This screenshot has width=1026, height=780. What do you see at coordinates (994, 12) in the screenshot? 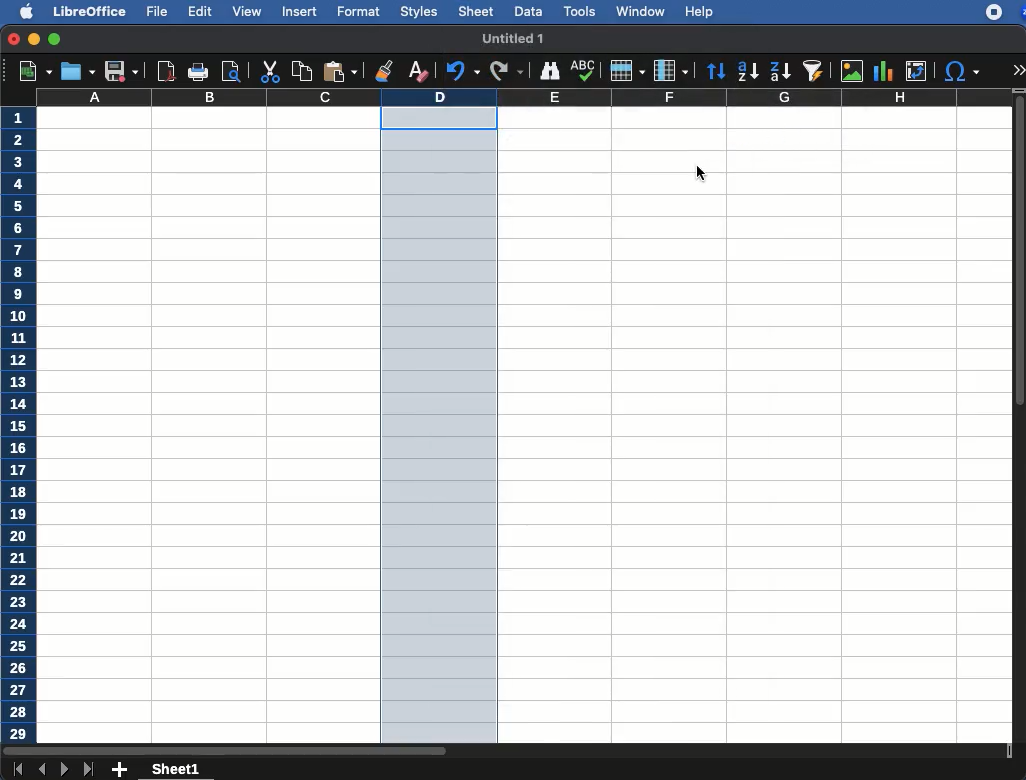
I see `recording - extension` at bounding box center [994, 12].